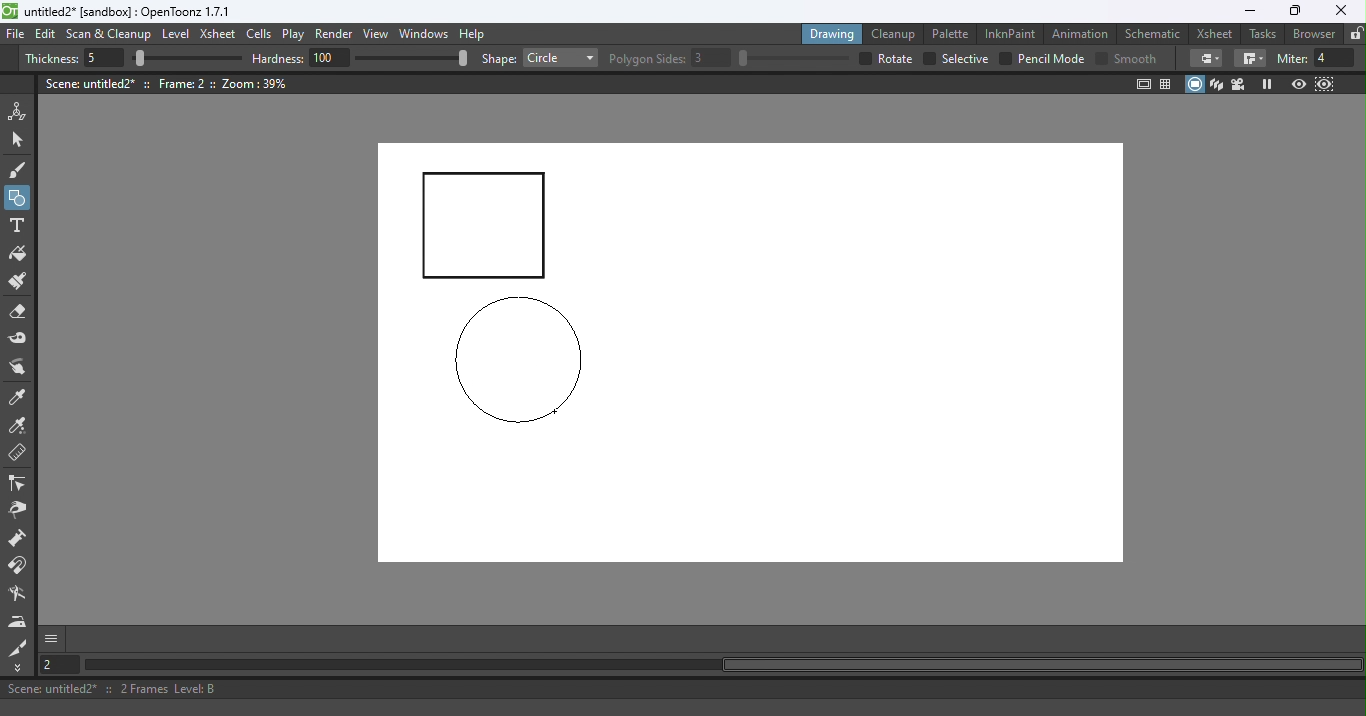  I want to click on circle, so click(518, 361).